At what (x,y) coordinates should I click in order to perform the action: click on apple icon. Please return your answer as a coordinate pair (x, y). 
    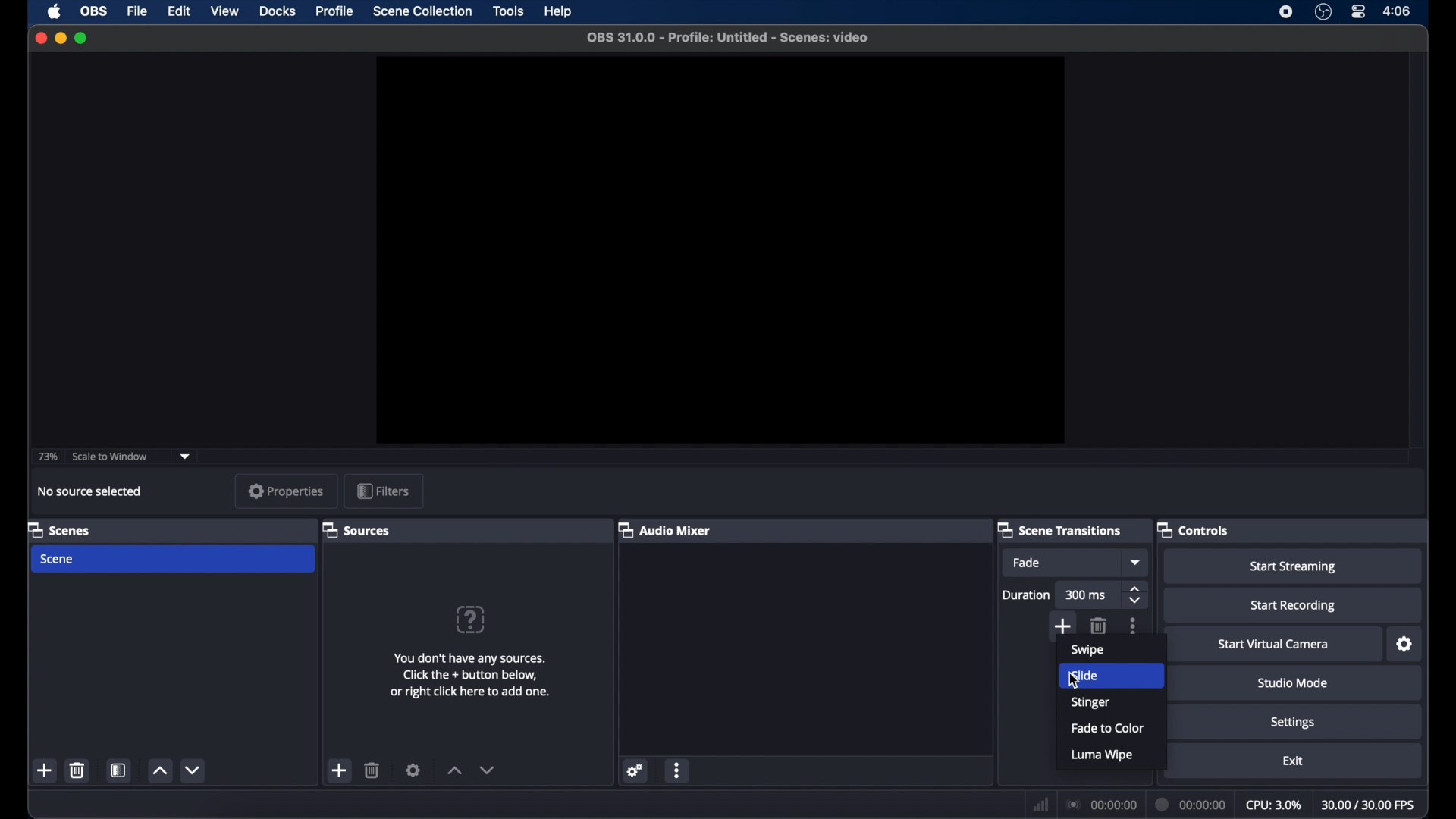
    Looking at the image, I should click on (55, 11).